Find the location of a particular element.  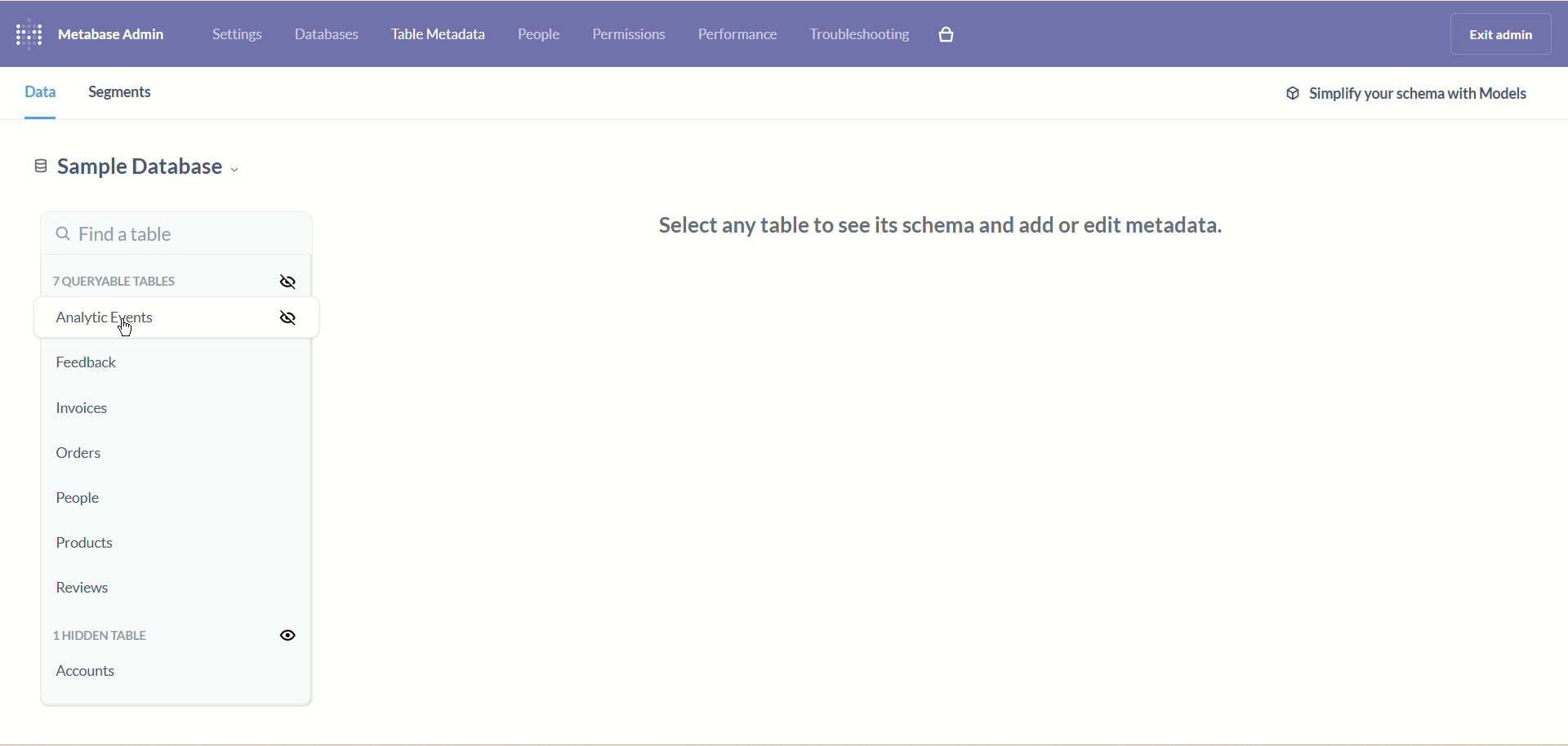

Table metadata is located at coordinates (440, 35).